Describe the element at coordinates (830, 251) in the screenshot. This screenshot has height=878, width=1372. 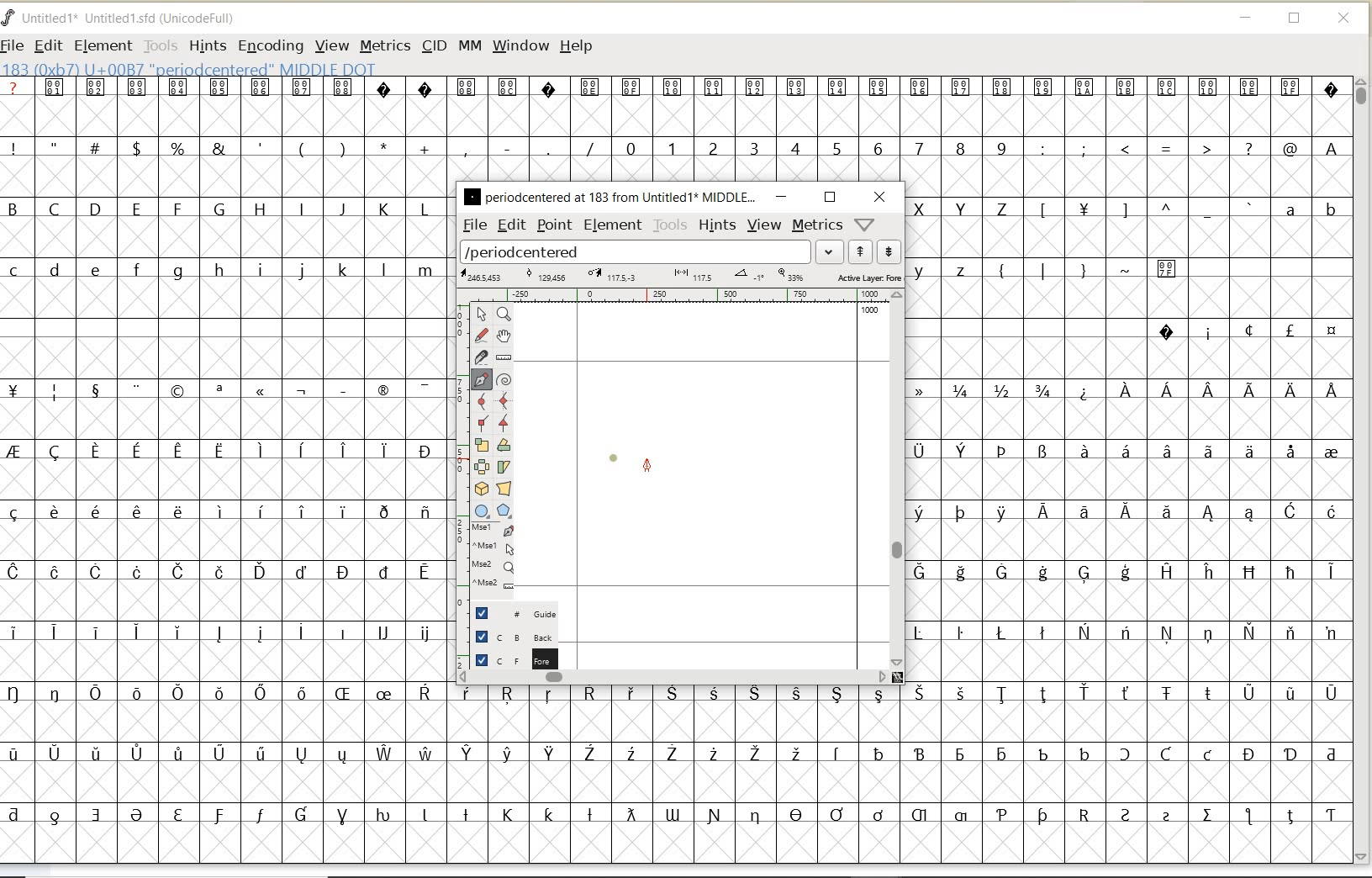
I see `expand` at that location.